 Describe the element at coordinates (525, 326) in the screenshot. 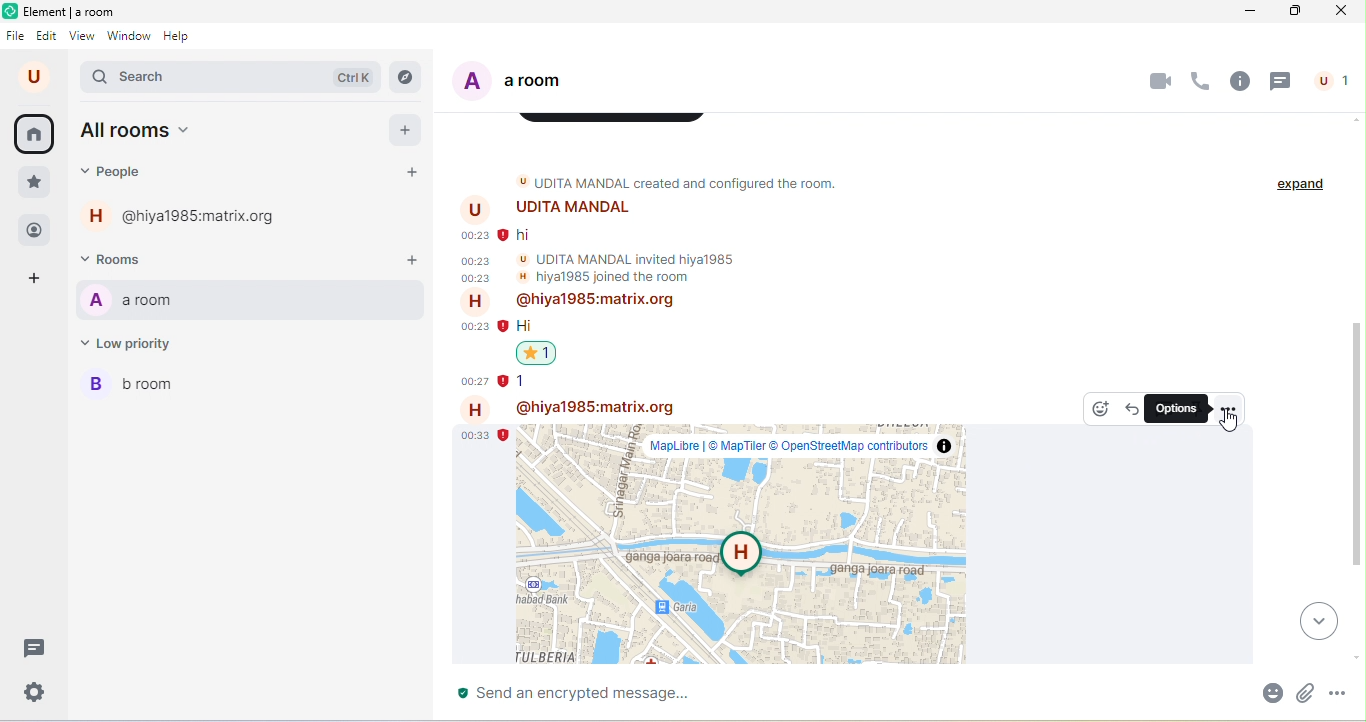

I see `text message: "Hi"` at that location.